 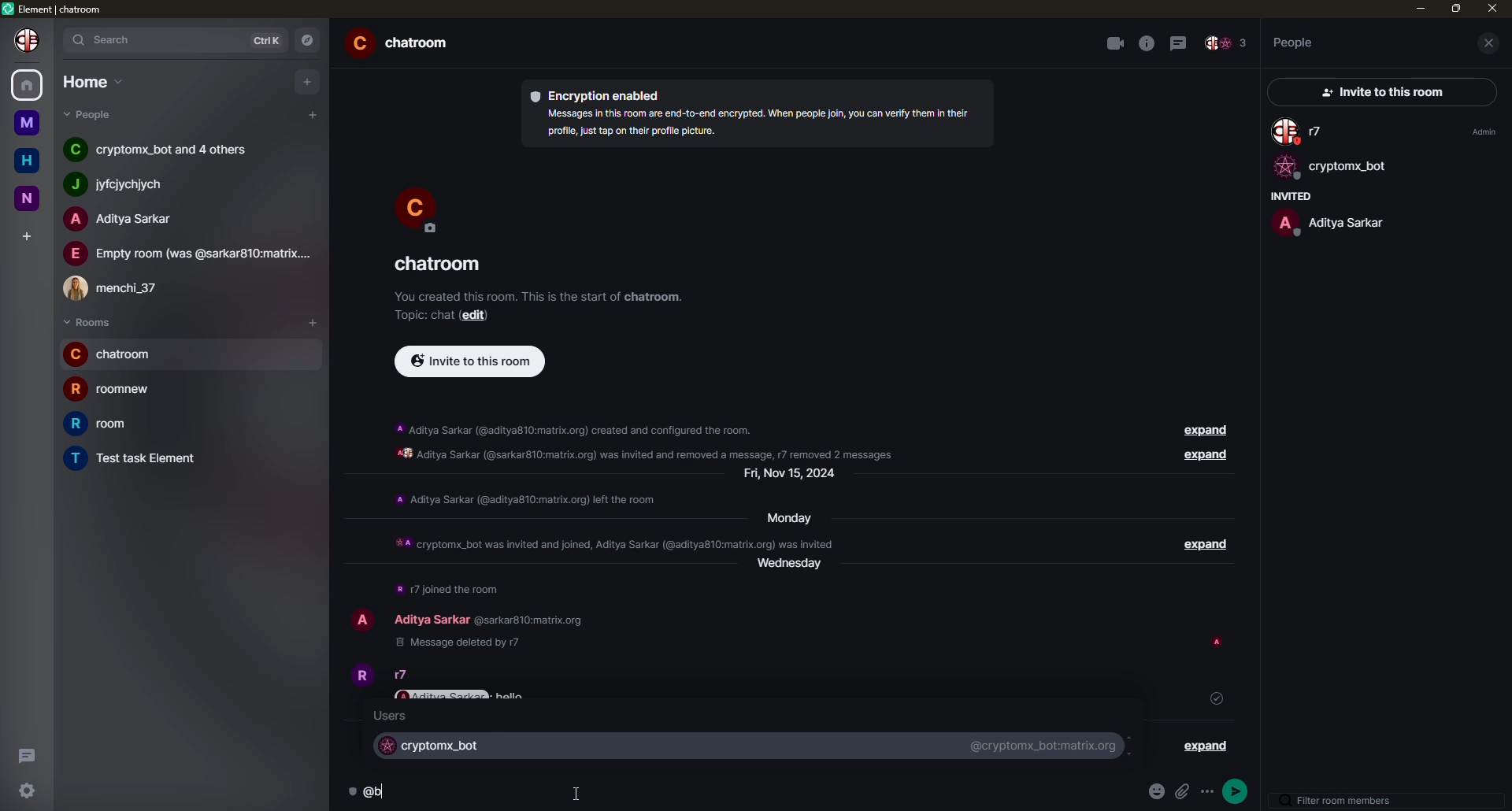 I want to click on room, so click(x=405, y=45).